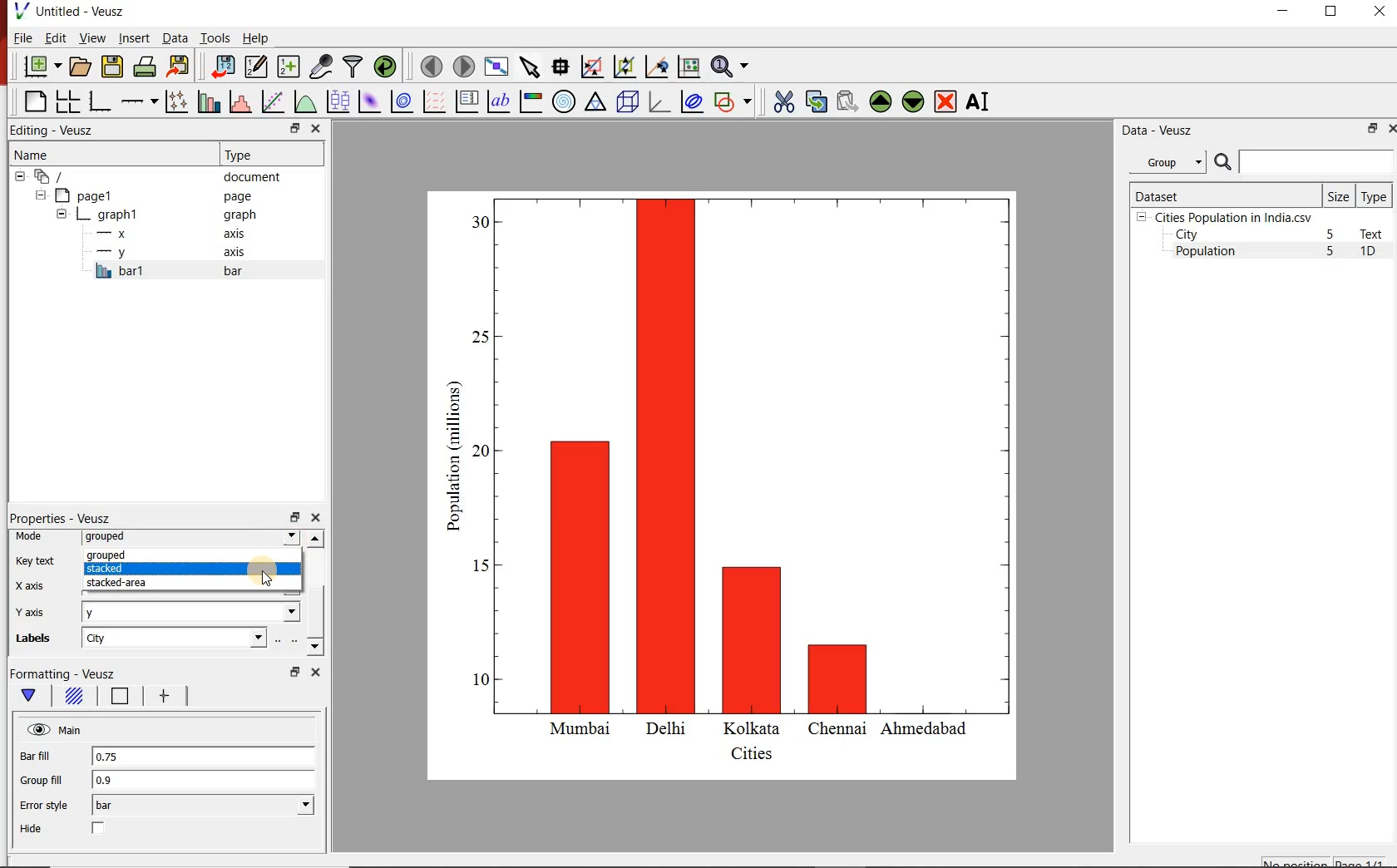  What do you see at coordinates (270, 576) in the screenshot?
I see `cursor` at bounding box center [270, 576].